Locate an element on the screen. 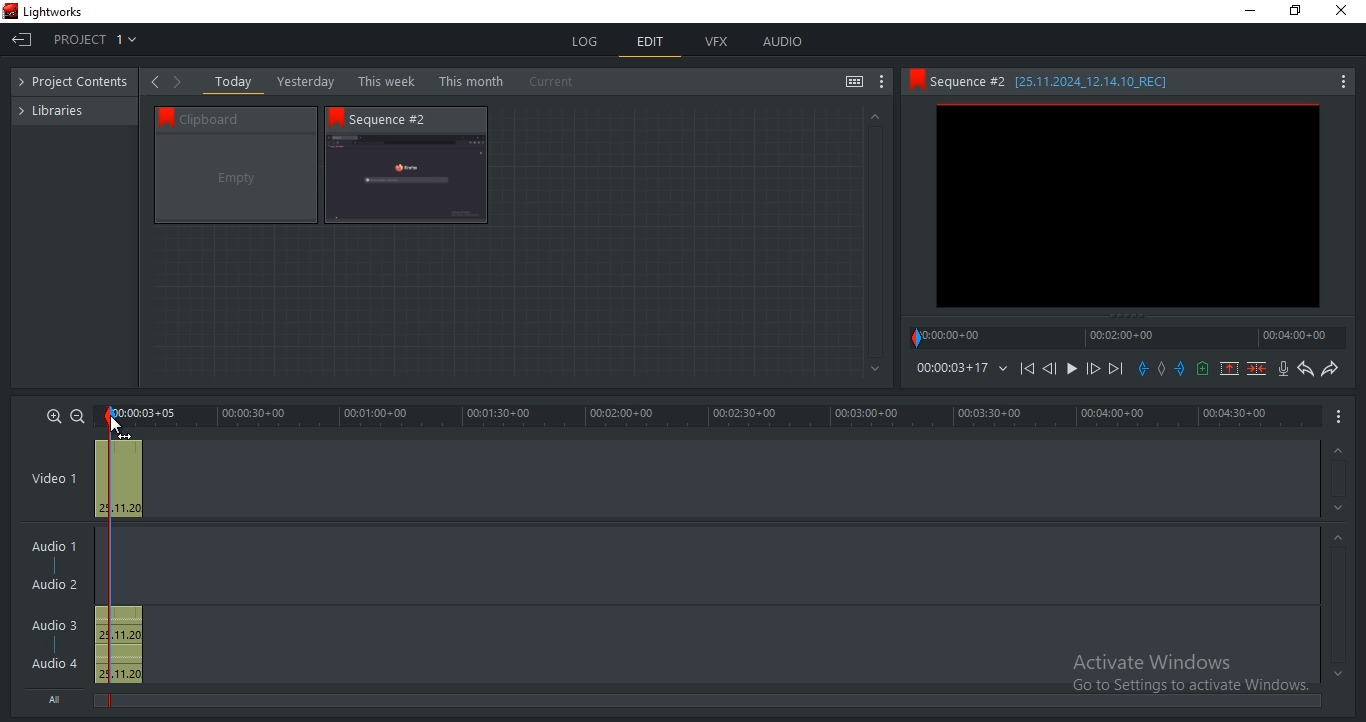  Greyed out up arrow is located at coordinates (1336, 452).